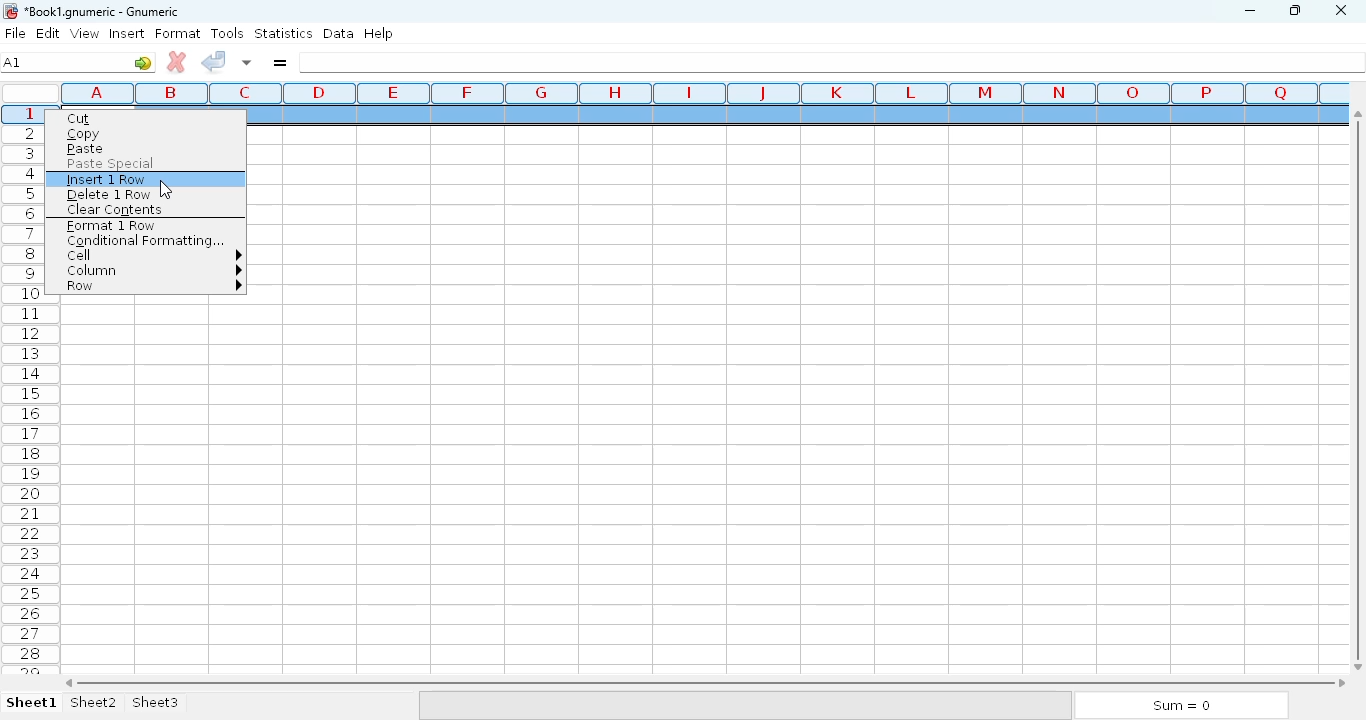 The height and width of the screenshot is (720, 1366). What do you see at coordinates (833, 62) in the screenshot?
I see `formula bar` at bounding box center [833, 62].